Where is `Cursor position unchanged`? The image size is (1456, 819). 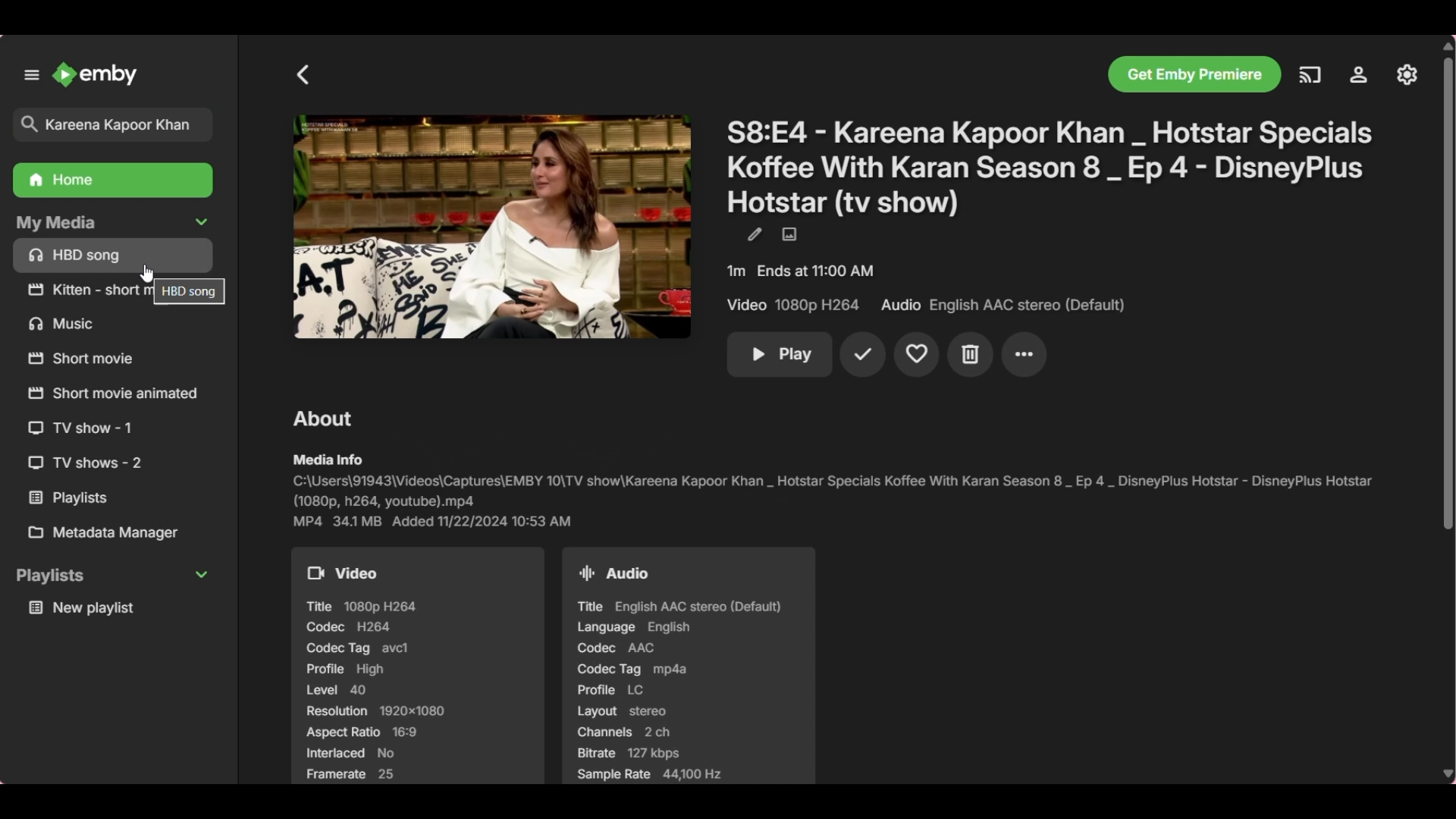
Cursor position unchanged is located at coordinates (148, 273).